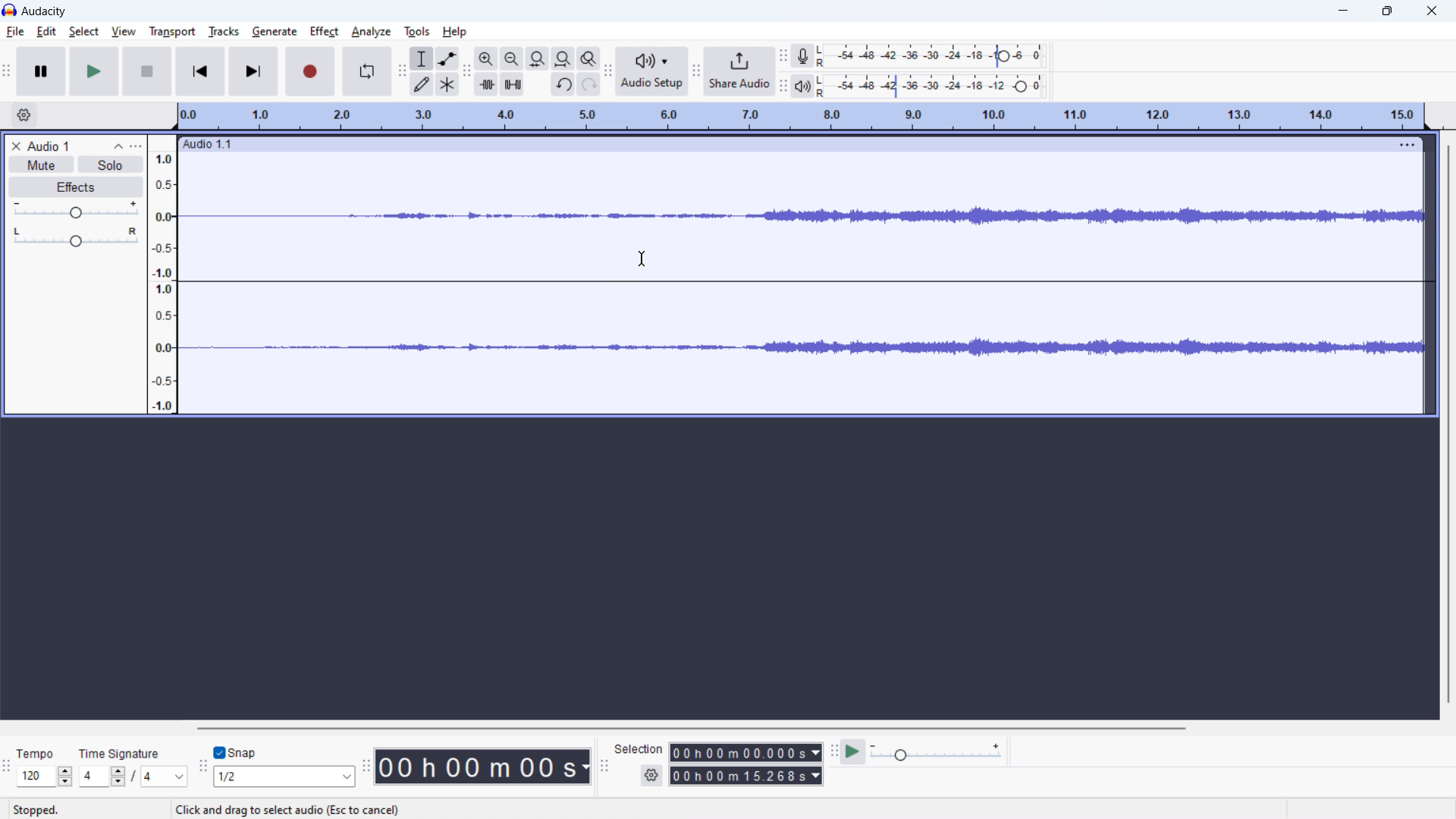 The width and height of the screenshot is (1456, 819). What do you see at coordinates (447, 83) in the screenshot?
I see `multi tool` at bounding box center [447, 83].